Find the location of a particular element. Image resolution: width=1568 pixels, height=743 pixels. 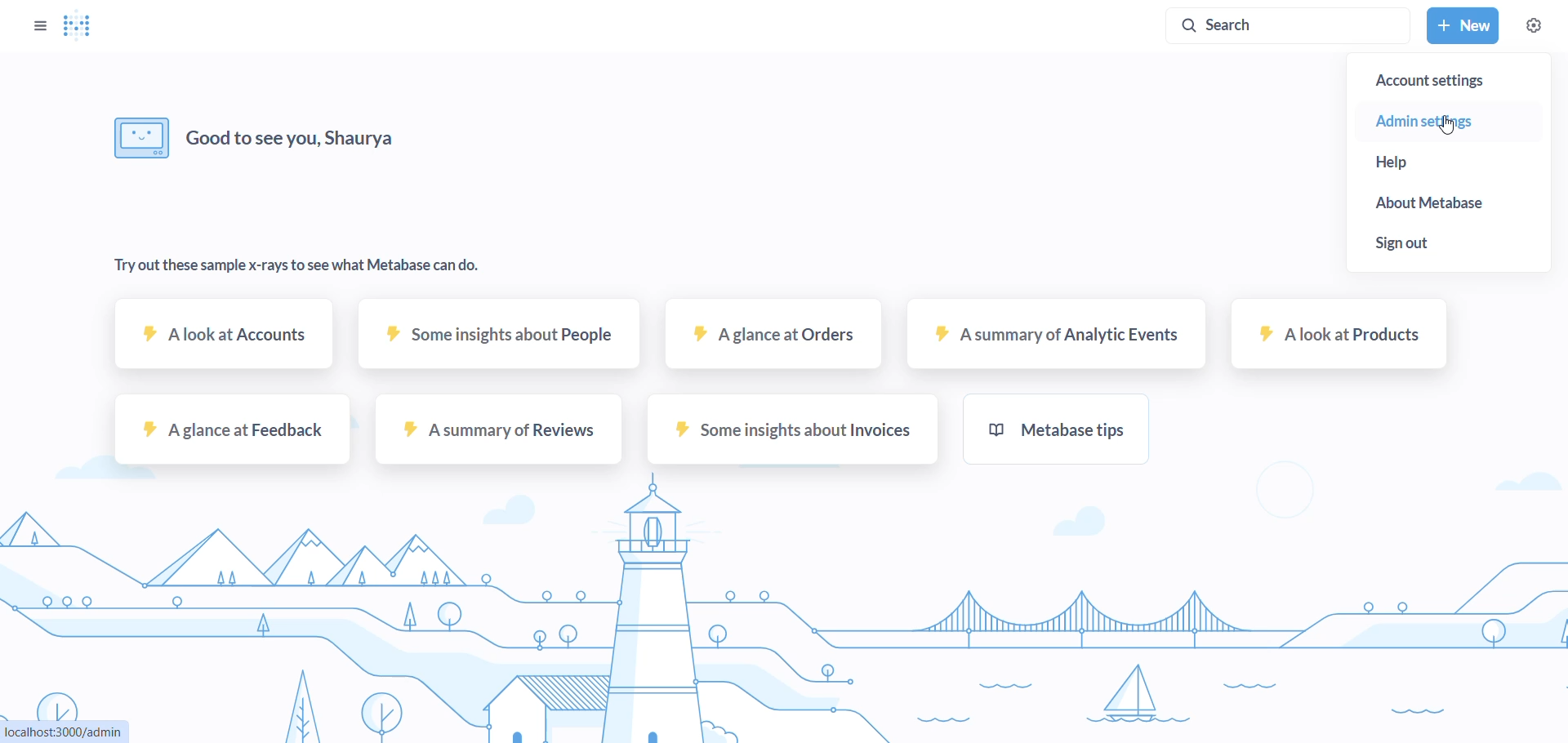

some insights about people sample is located at coordinates (501, 339).